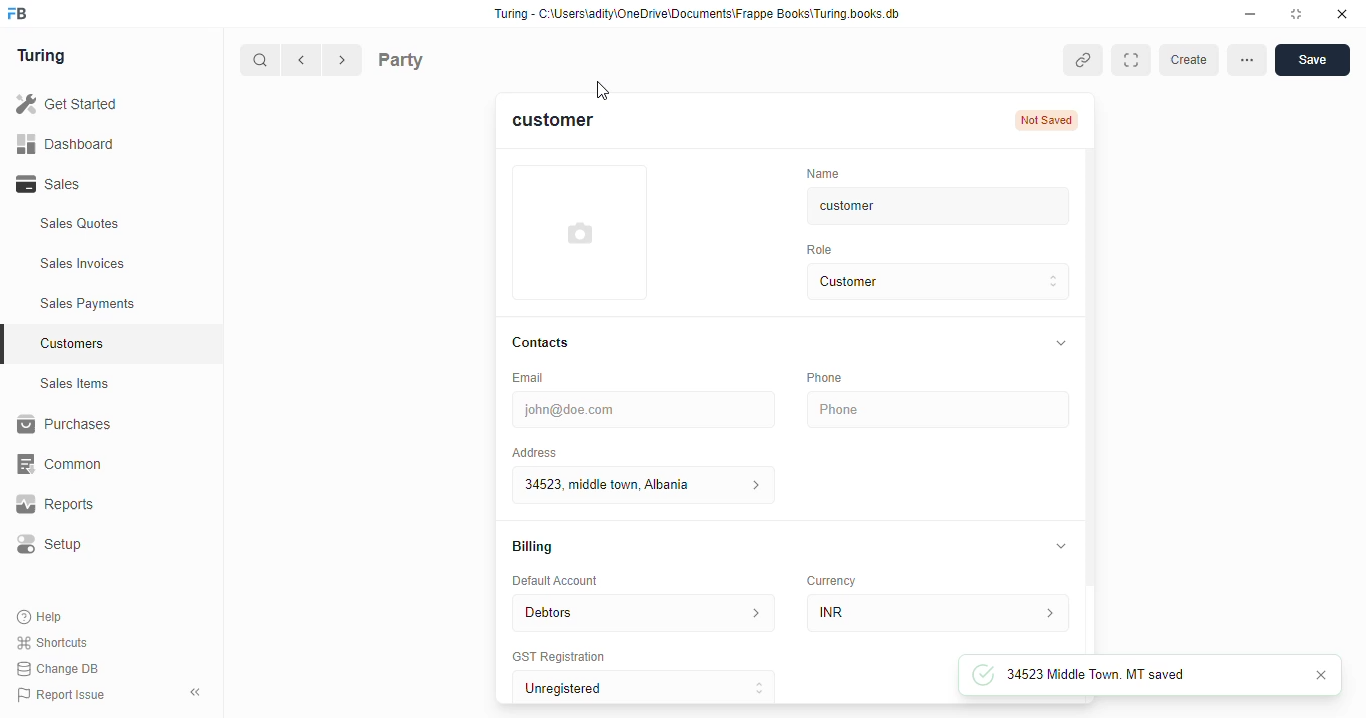 This screenshot has width=1366, height=718. Describe the element at coordinates (46, 57) in the screenshot. I see `Turing` at that location.